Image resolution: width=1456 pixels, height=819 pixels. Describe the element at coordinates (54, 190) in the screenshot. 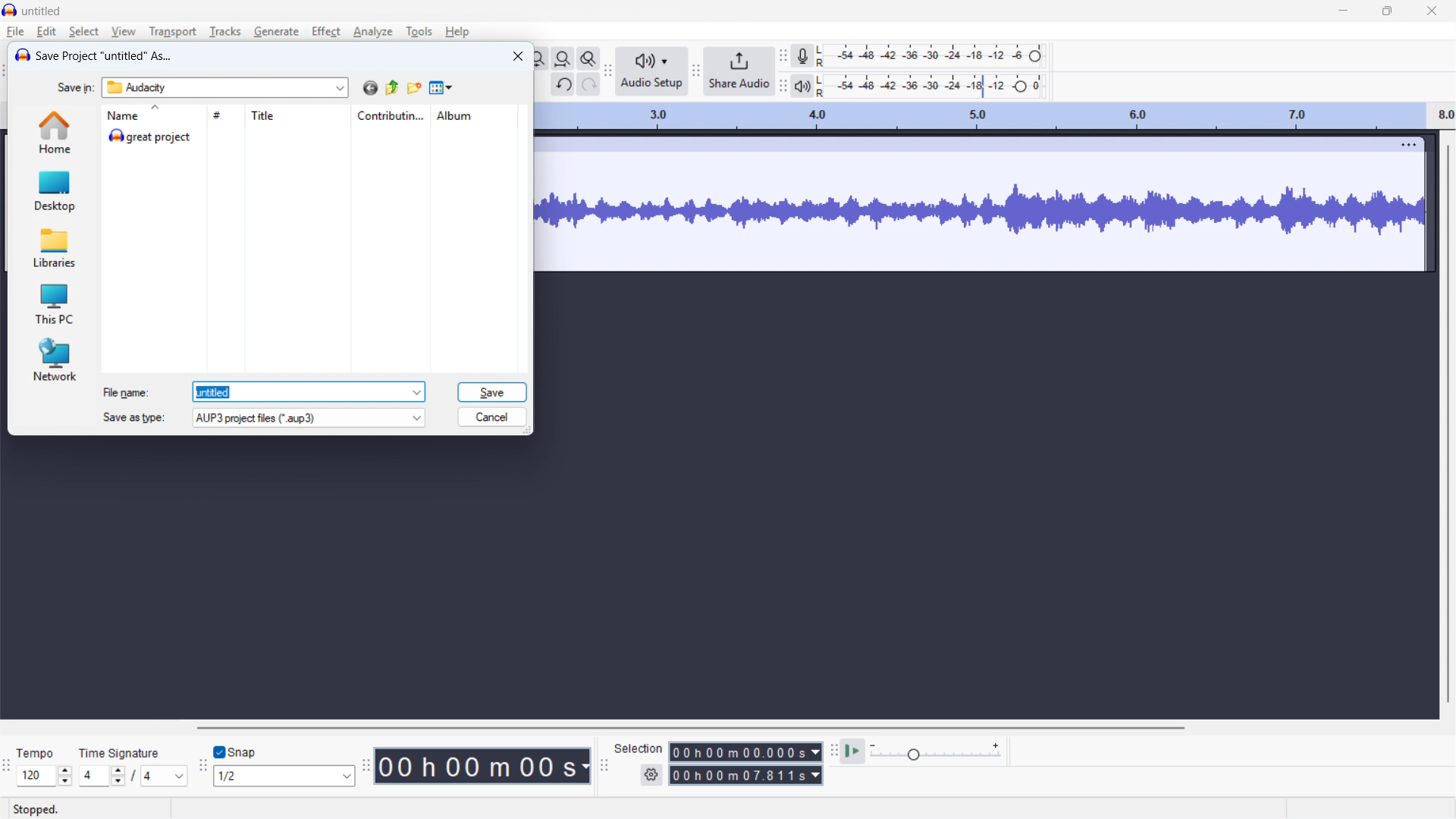

I see `desktop` at that location.